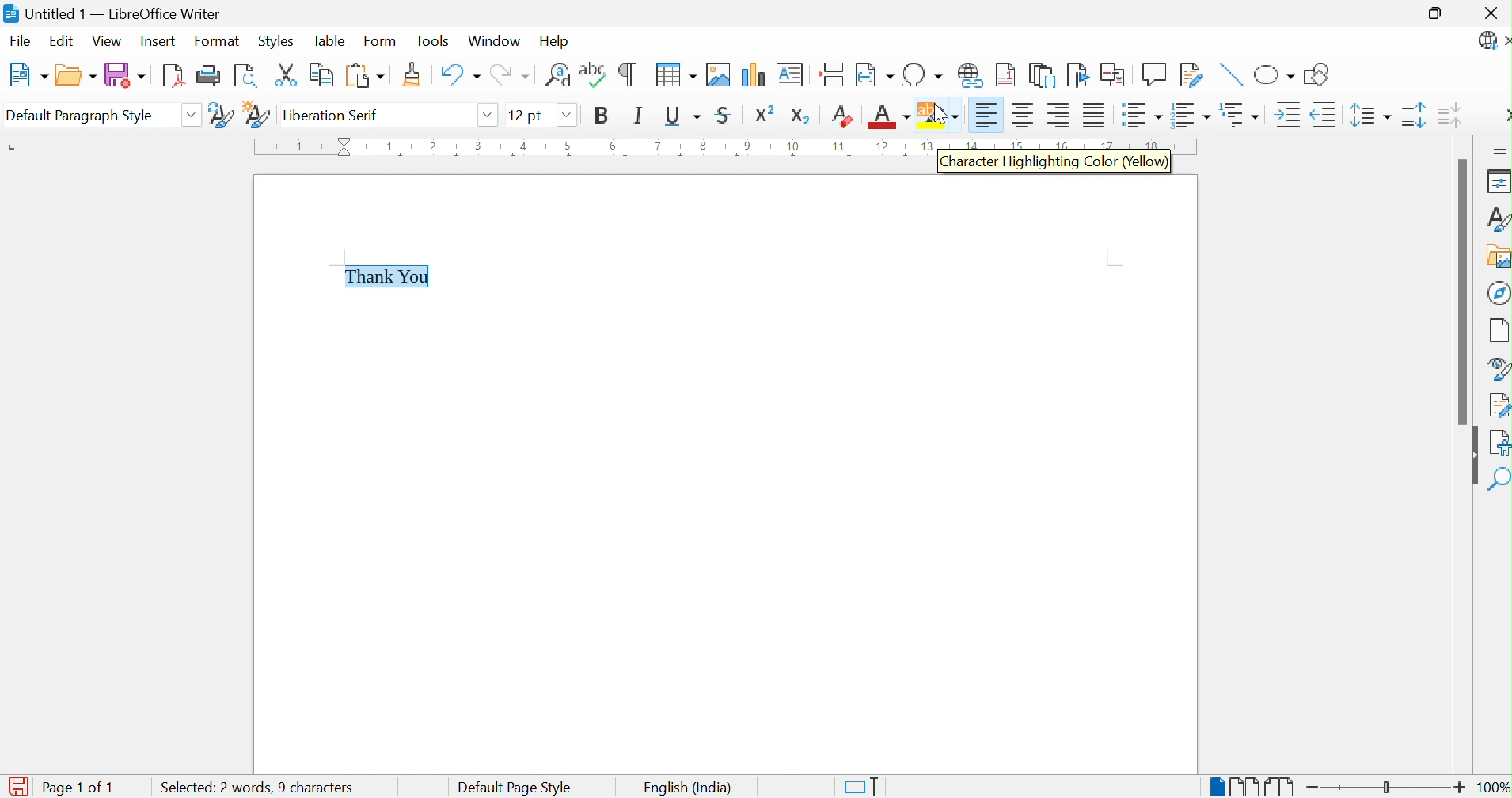 The image size is (1512, 798). I want to click on Ruler, so click(724, 149).